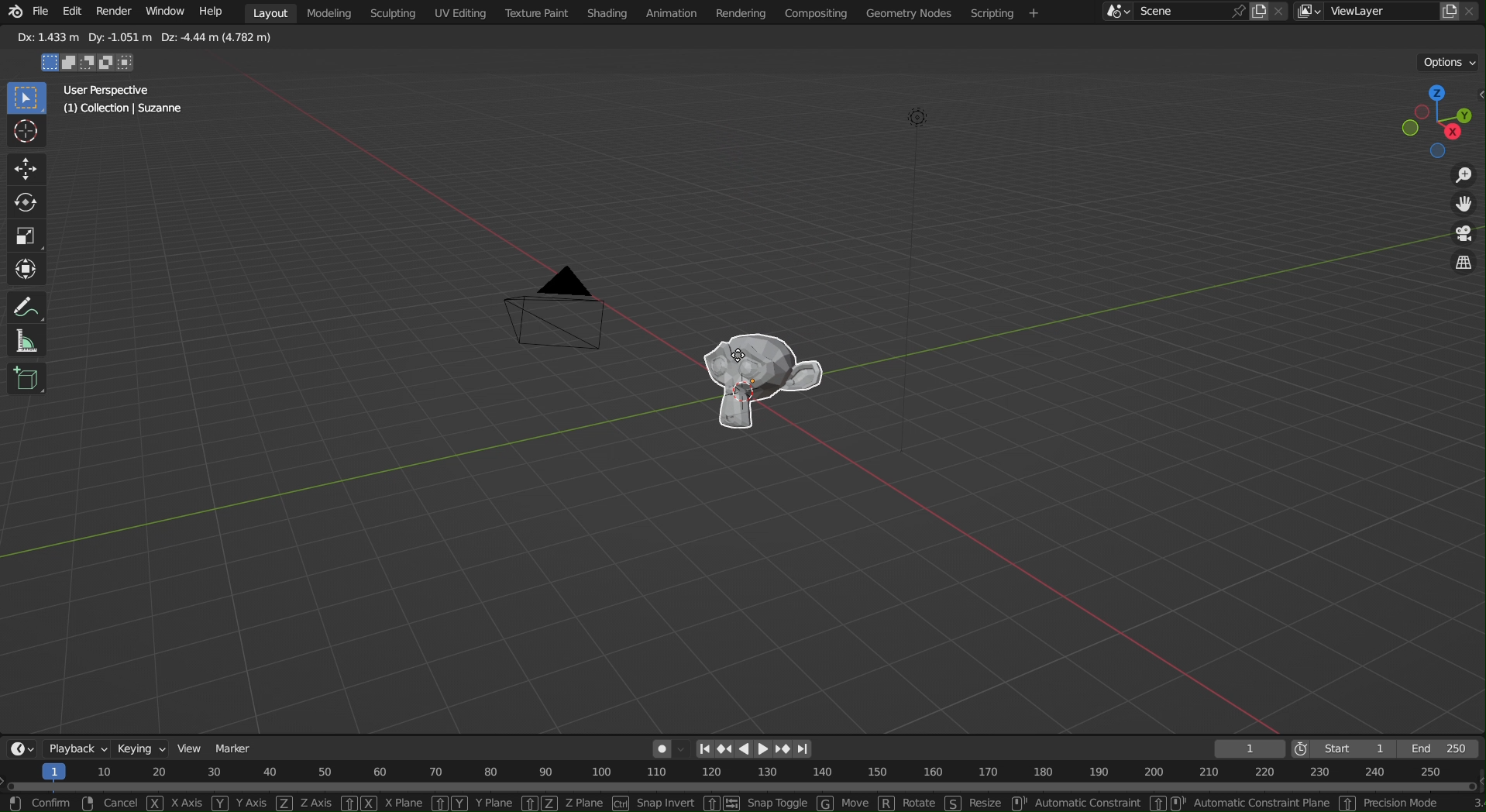 The height and width of the screenshot is (812, 1486). I want to click on Scene drop down, so click(1116, 12).